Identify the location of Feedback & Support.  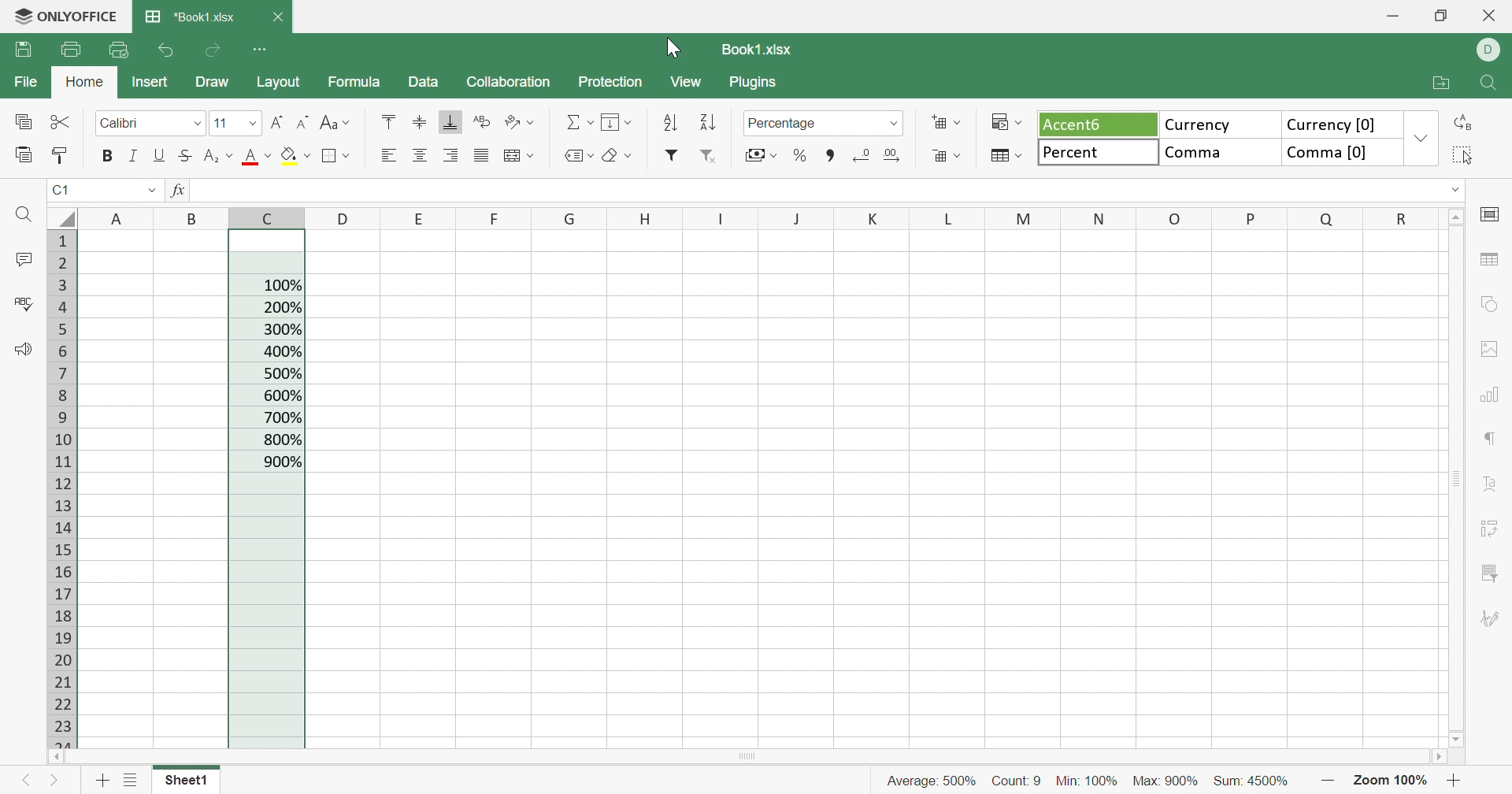
(21, 351).